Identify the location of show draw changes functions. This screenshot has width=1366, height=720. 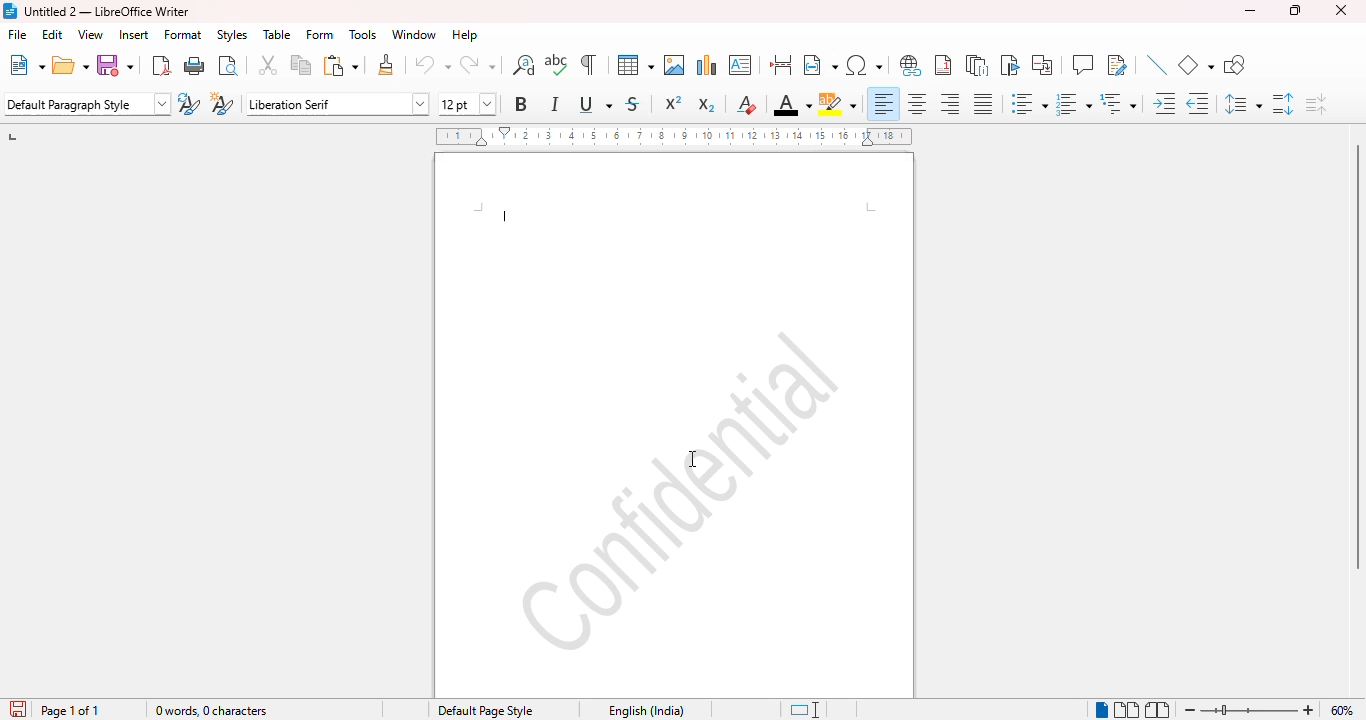
(1116, 64).